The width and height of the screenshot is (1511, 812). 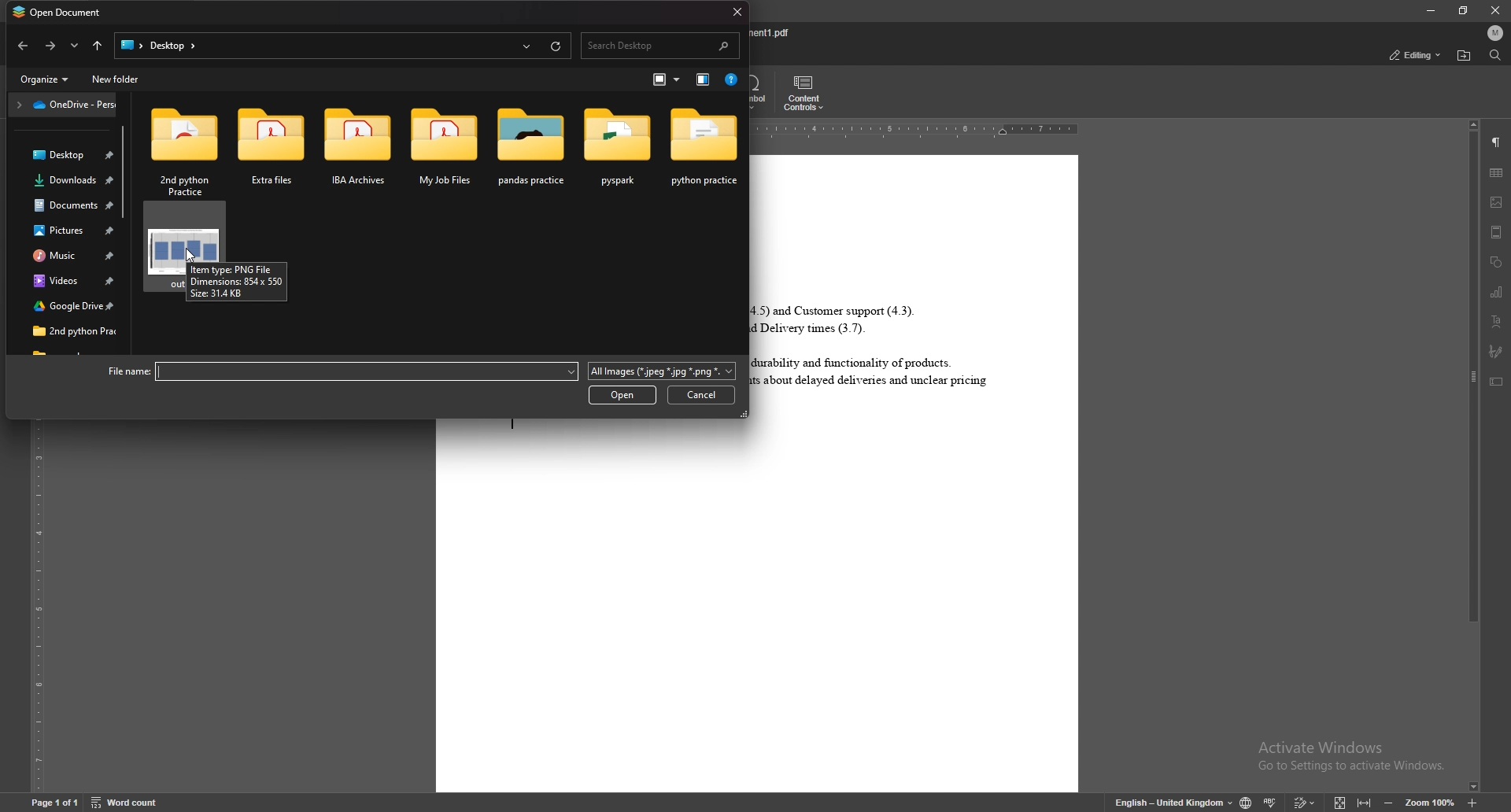 What do you see at coordinates (1497, 232) in the screenshot?
I see `header and footer` at bounding box center [1497, 232].